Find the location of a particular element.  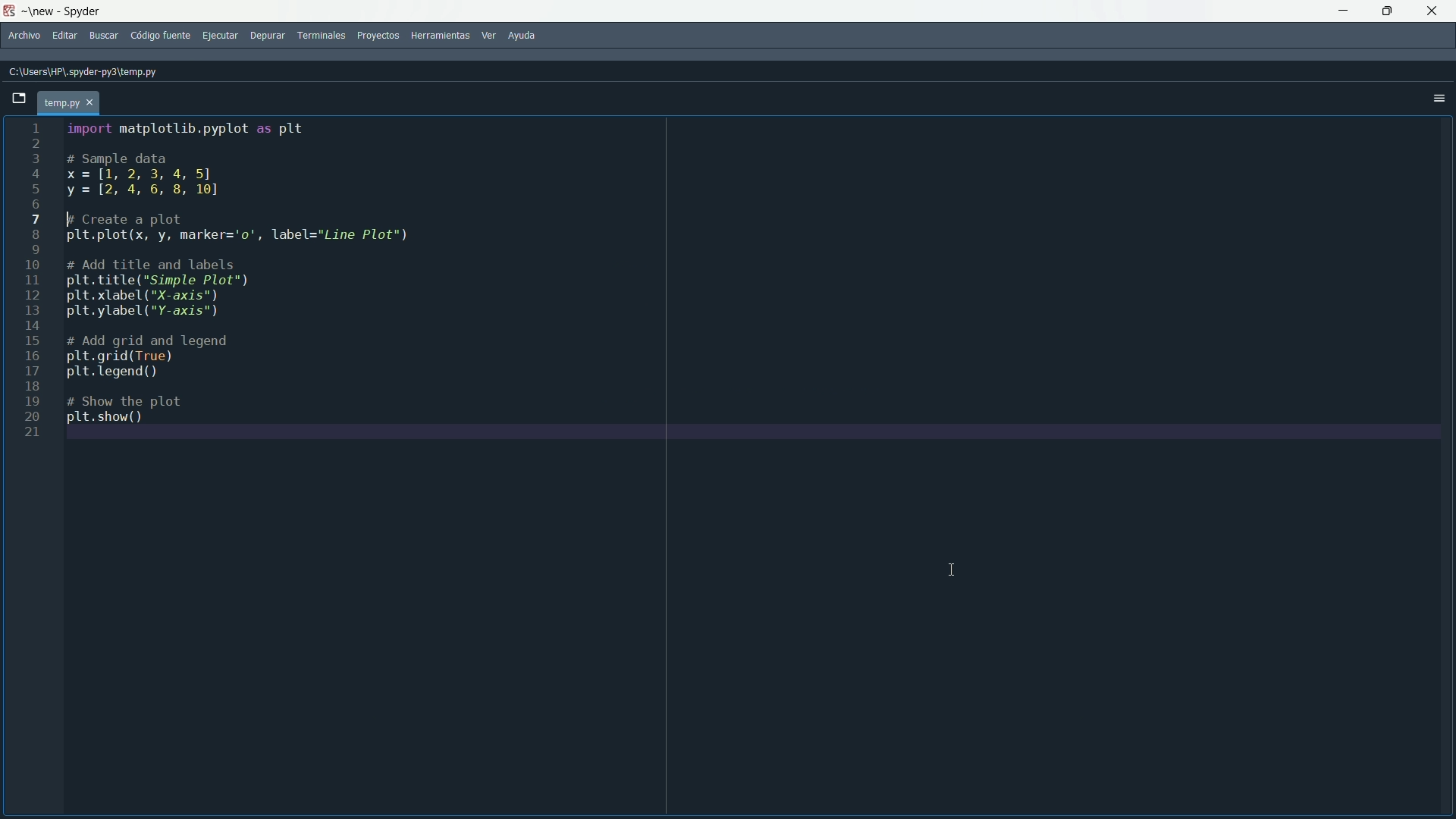

proyectos is located at coordinates (378, 36).